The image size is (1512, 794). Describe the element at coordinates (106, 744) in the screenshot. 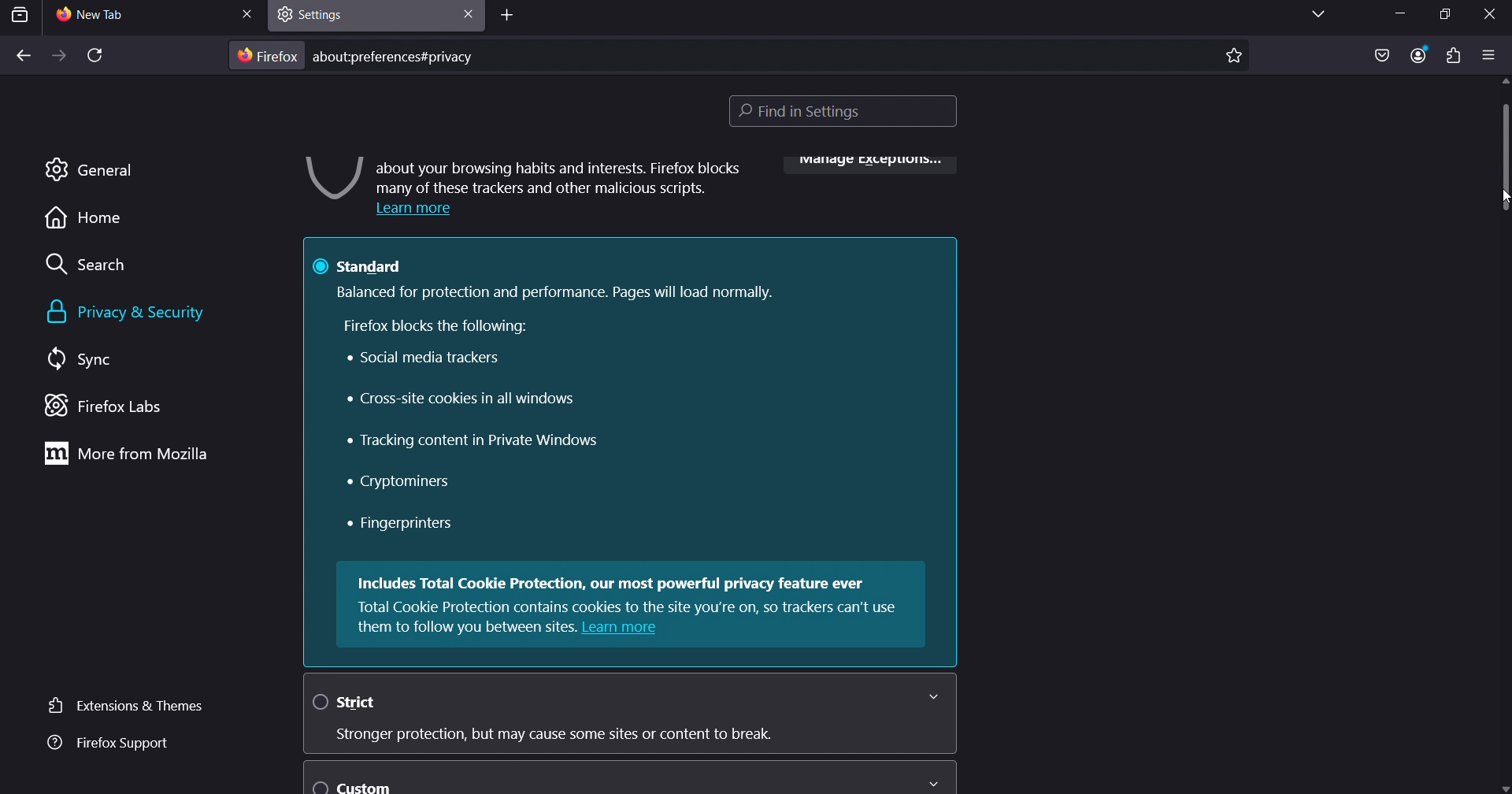

I see `firefox support` at that location.